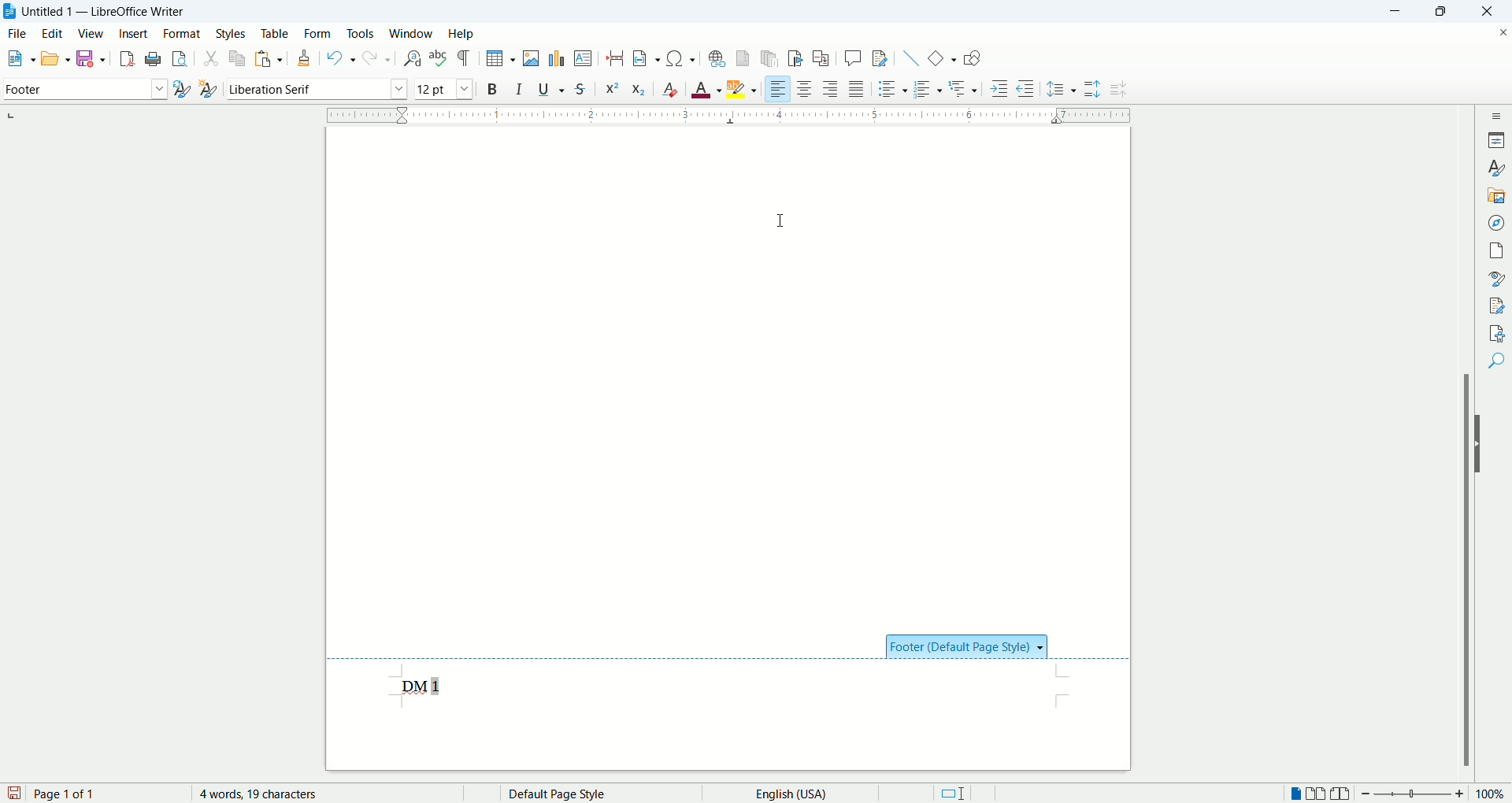 Image resolution: width=1512 pixels, height=803 pixels. Describe the element at coordinates (151, 59) in the screenshot. I see `print` at that location.